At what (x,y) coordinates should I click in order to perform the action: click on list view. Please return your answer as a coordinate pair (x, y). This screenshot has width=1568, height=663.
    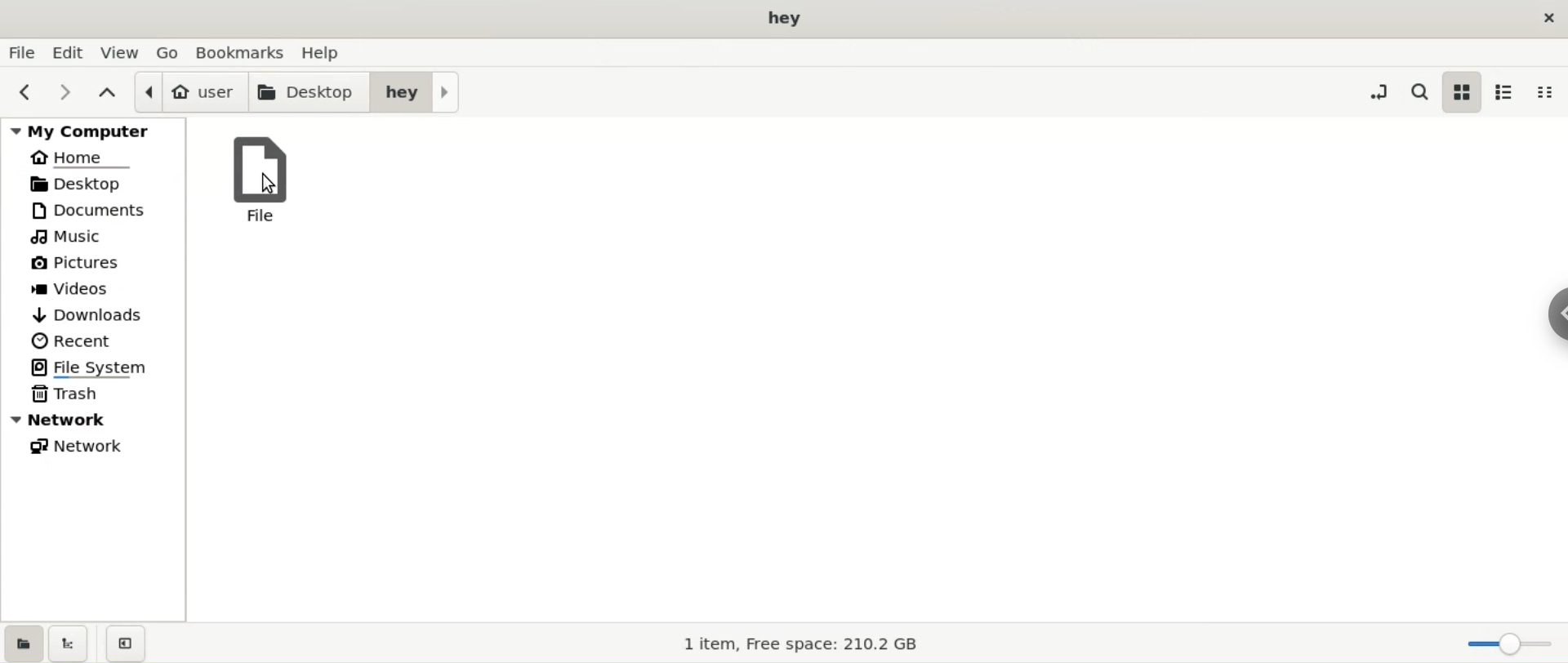
    Looking at the image, I should click on (1509, 92).